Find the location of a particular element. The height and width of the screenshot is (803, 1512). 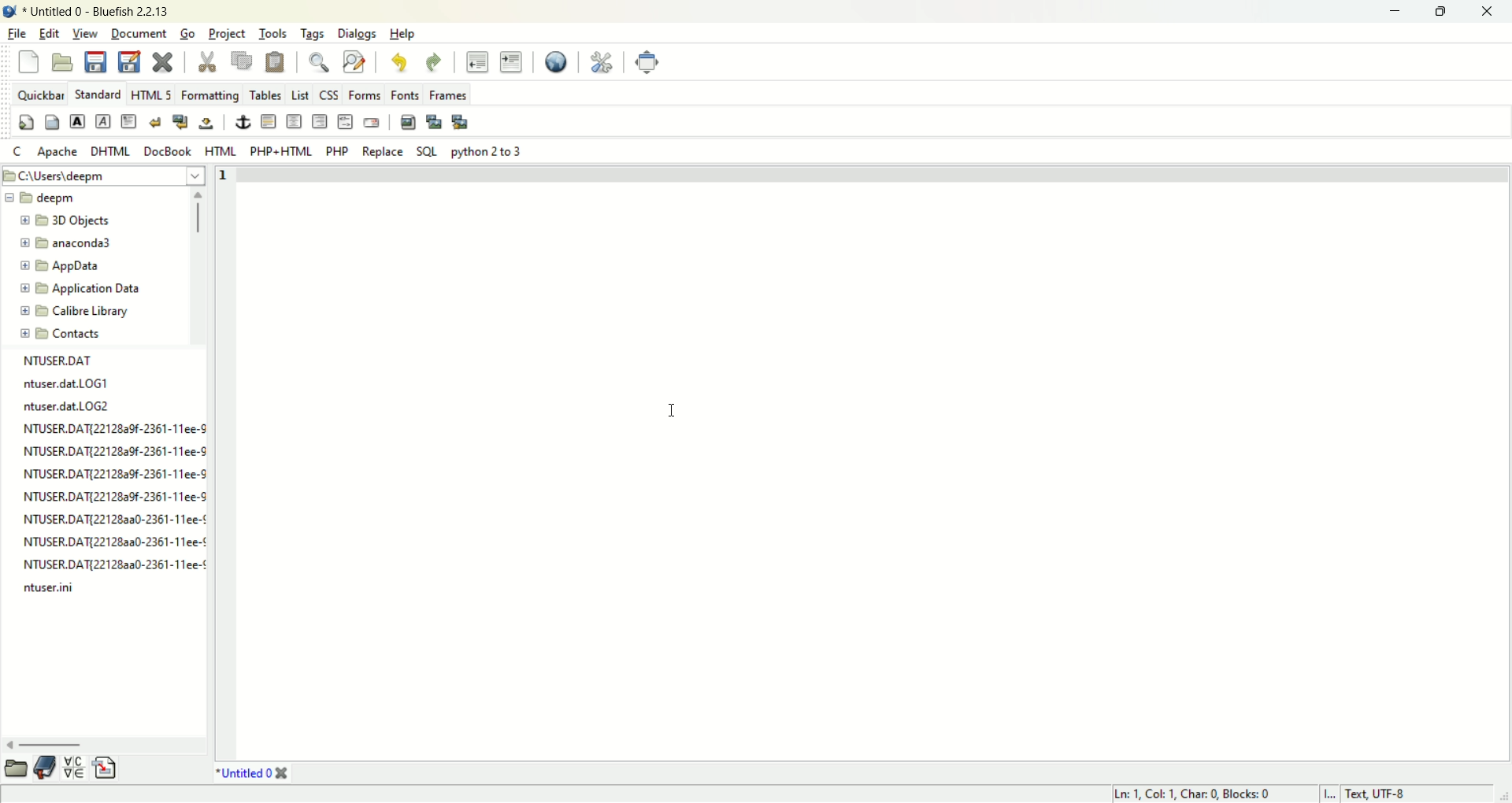

break and clear is located at coordinates (179, 123).